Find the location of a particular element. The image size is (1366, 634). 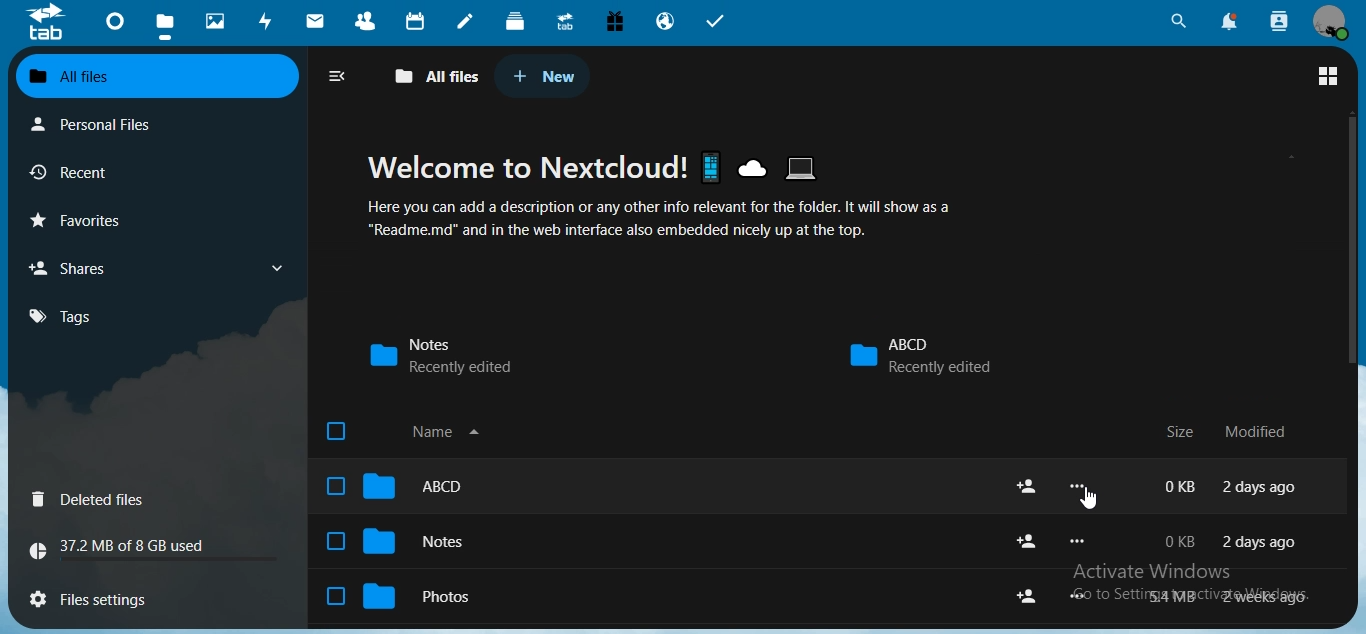

photos is located at coordinates (410, 594).